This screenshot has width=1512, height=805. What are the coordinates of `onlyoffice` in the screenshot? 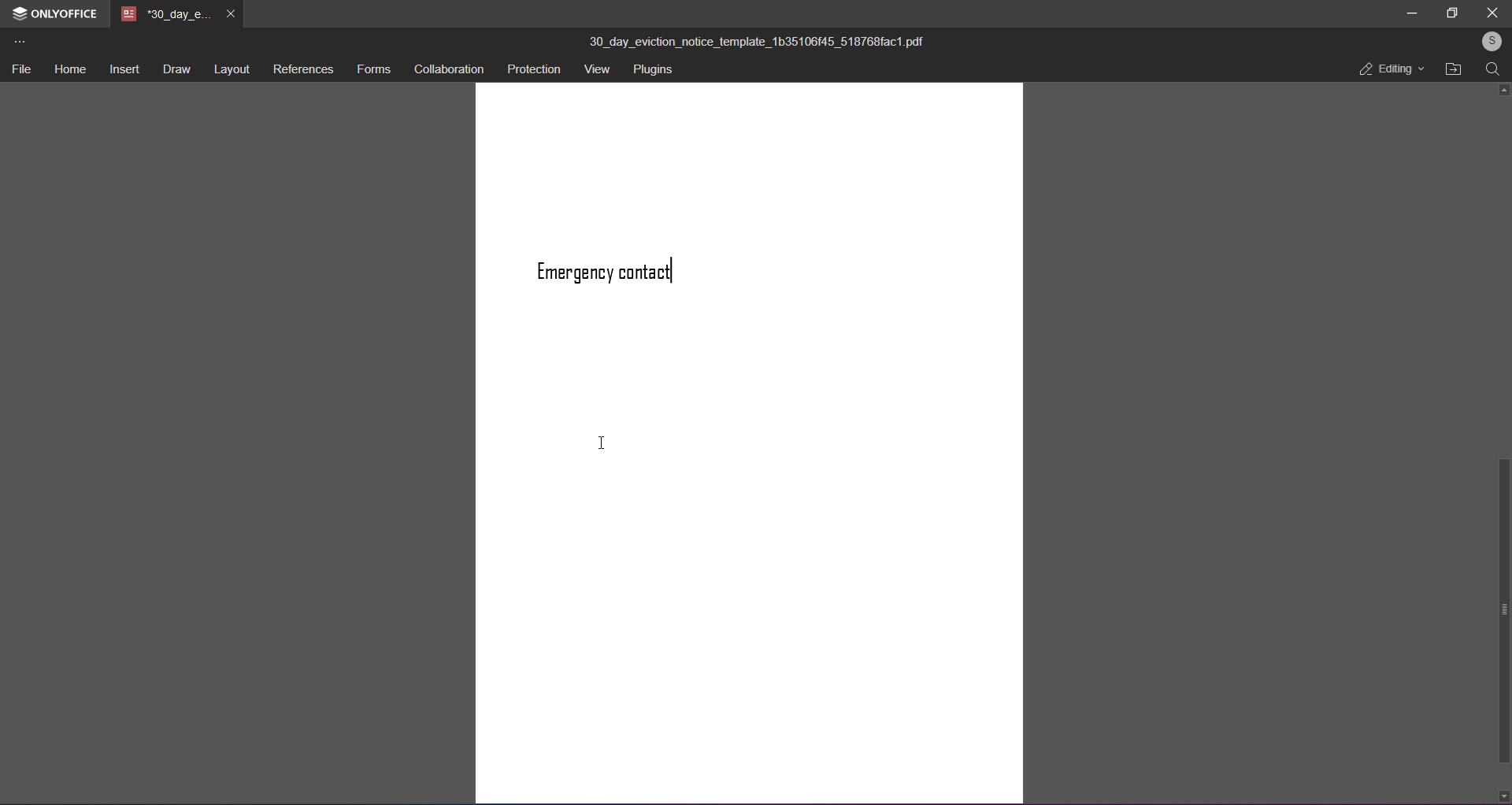 It's located at (65, 14).